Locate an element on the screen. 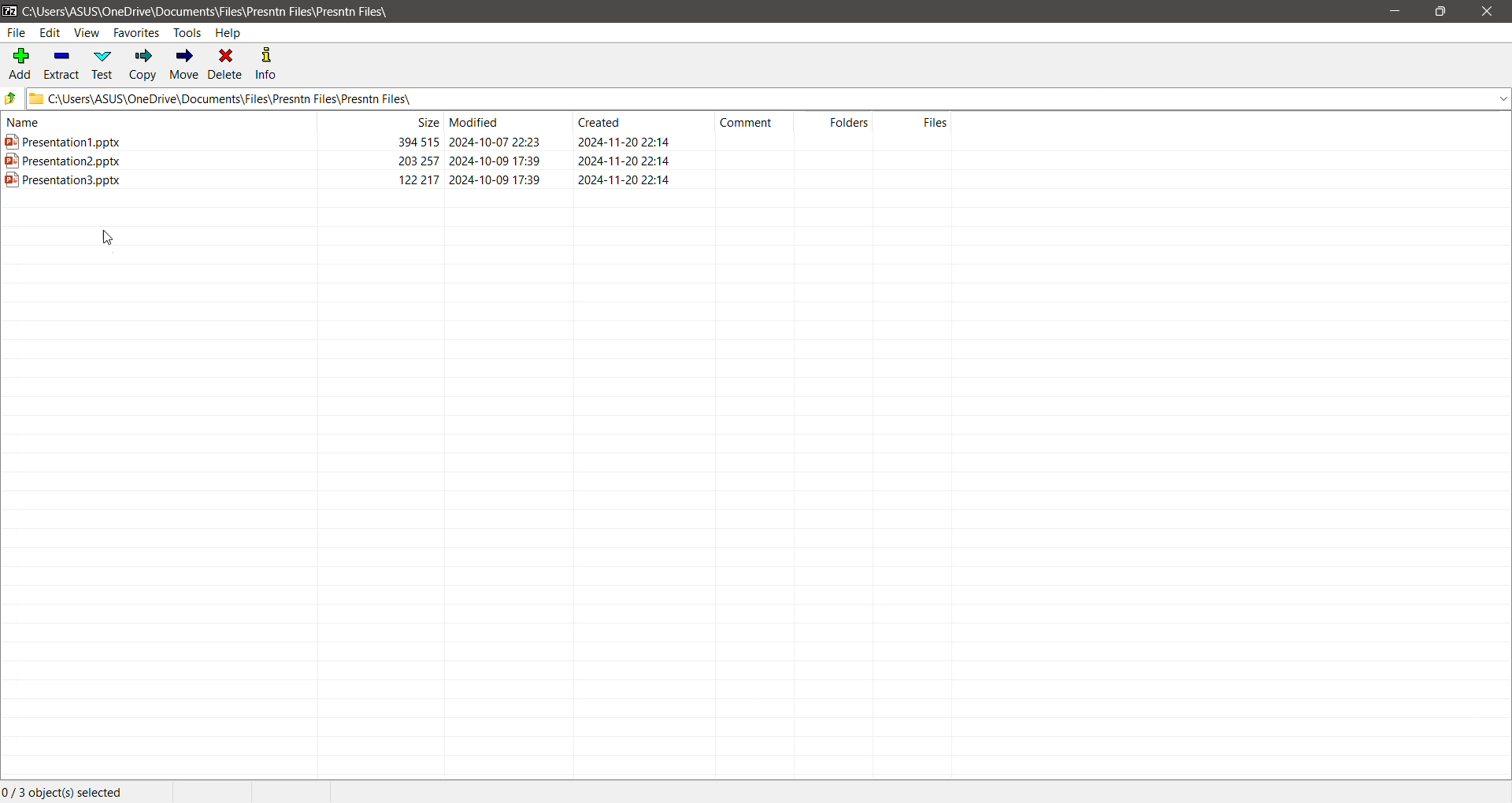 This screenshot has width=1512, height=803. created date & time is located at coordinates (624, 160).